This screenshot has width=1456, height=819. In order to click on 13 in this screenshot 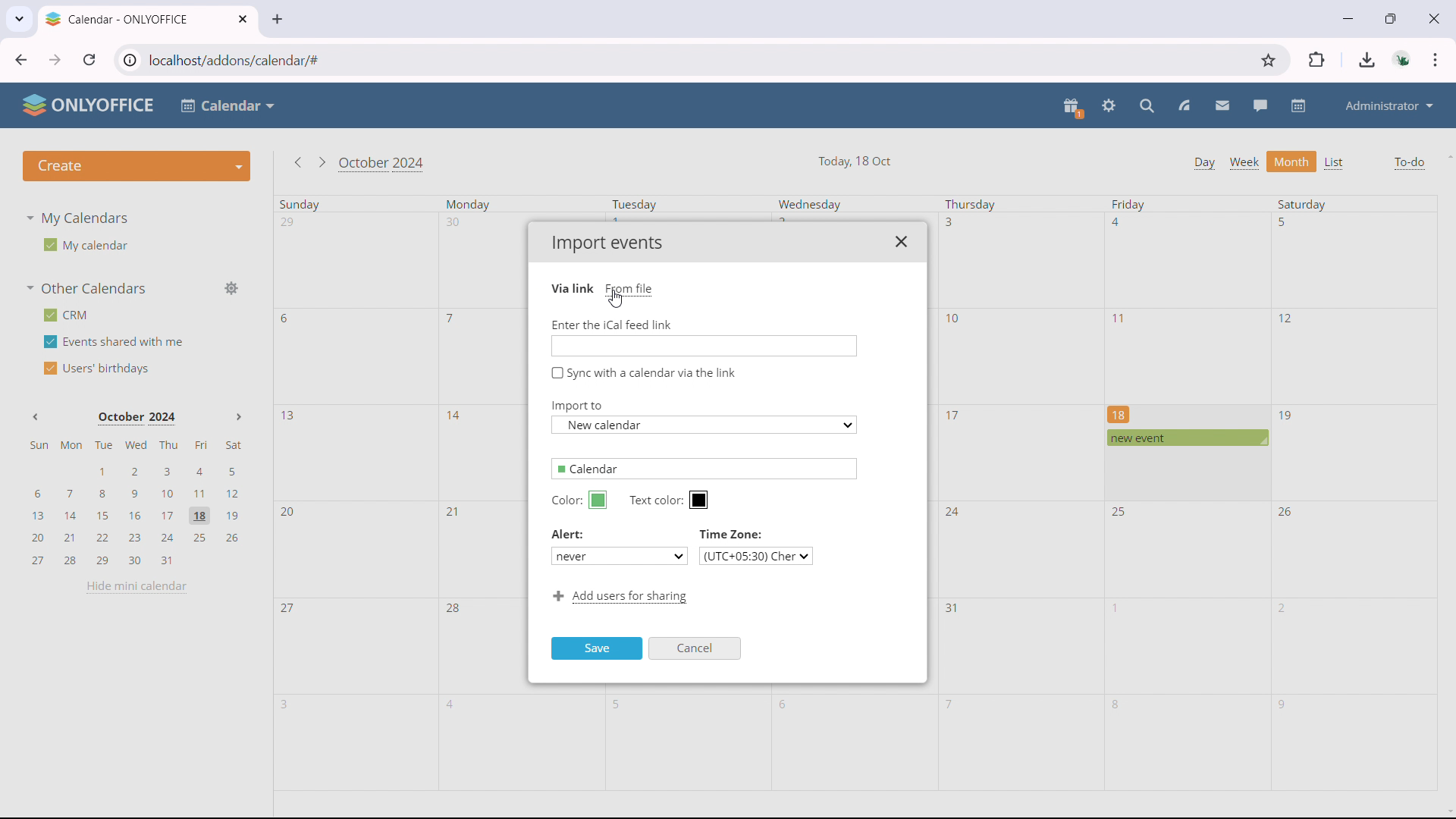, I will do `click(289, 416)`.